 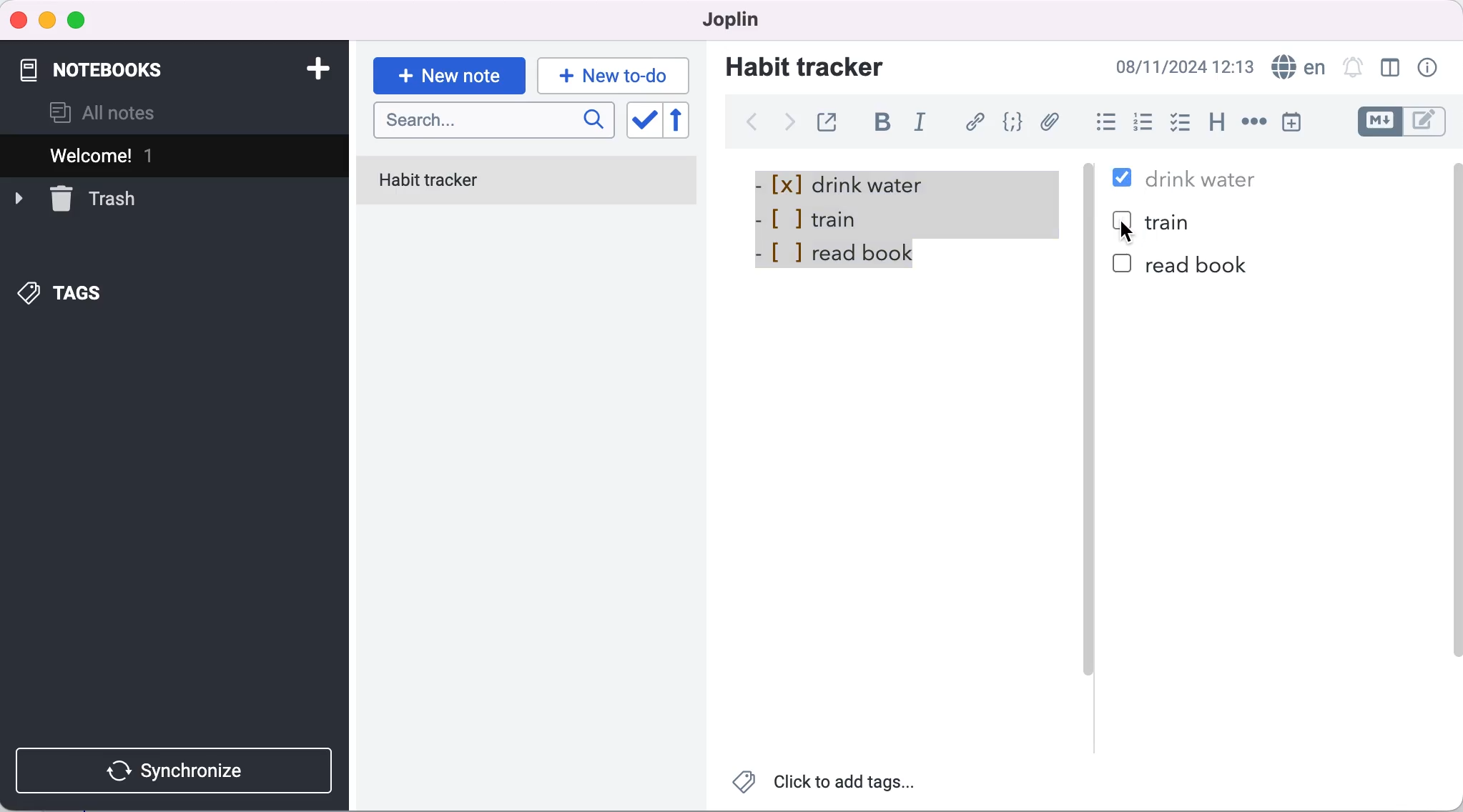 I want to click on train, so click(x=1173, y=224).